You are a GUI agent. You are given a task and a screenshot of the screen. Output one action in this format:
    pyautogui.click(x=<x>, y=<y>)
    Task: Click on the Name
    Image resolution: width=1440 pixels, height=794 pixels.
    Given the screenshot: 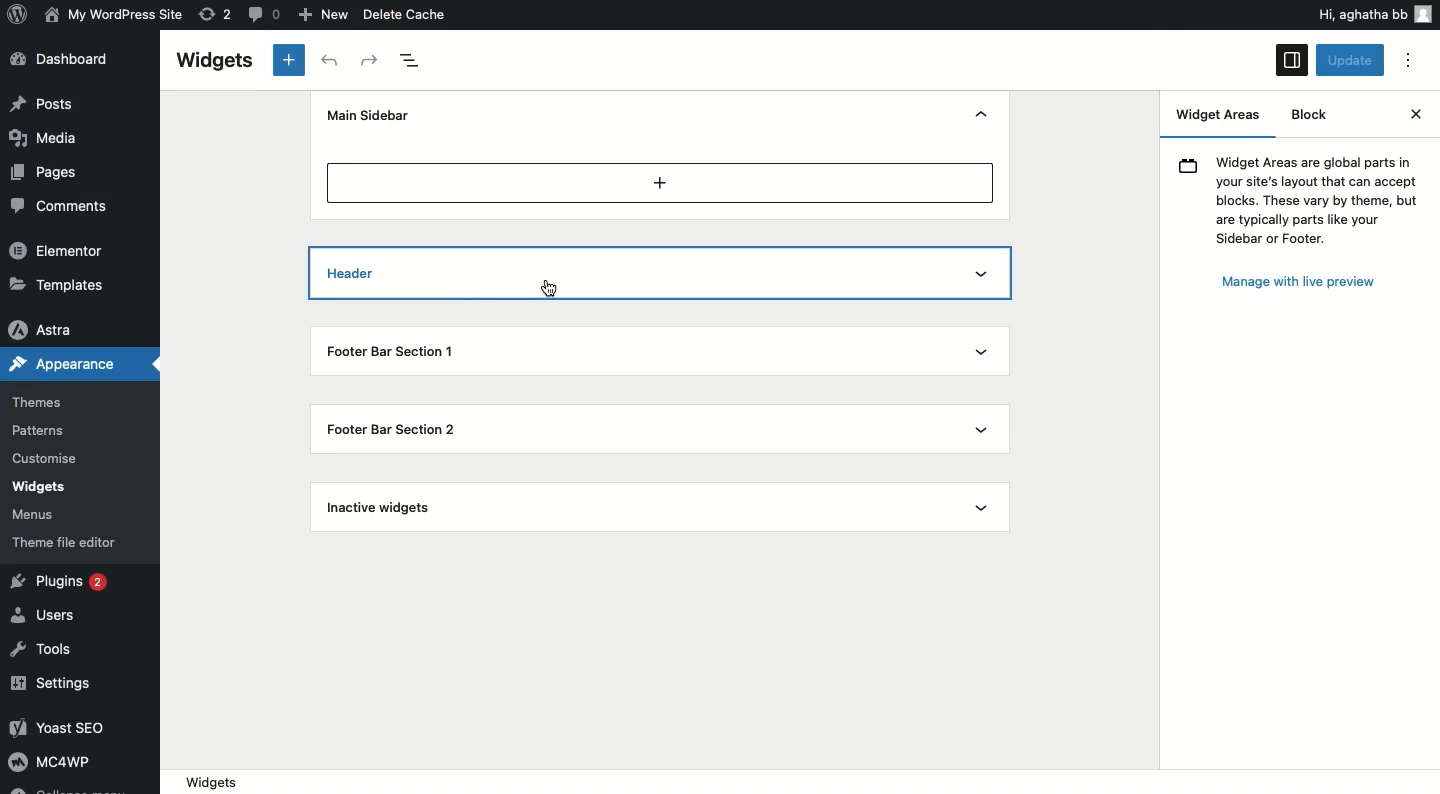 What is the action you would take?
    pyautogui.click(x=116, y=13)
    